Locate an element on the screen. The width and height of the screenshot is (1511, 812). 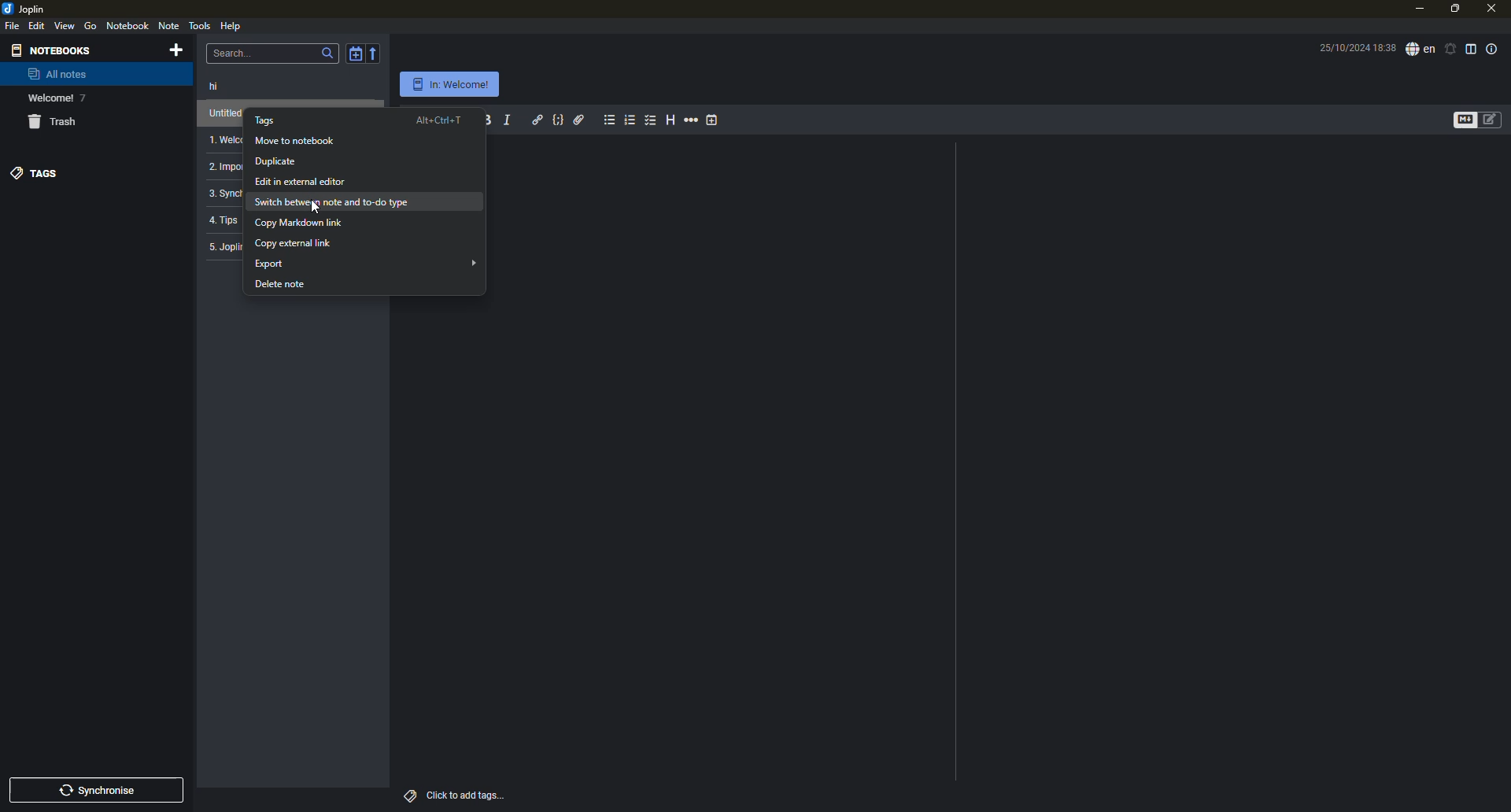
welcome! is located at coordinates (50, 98).